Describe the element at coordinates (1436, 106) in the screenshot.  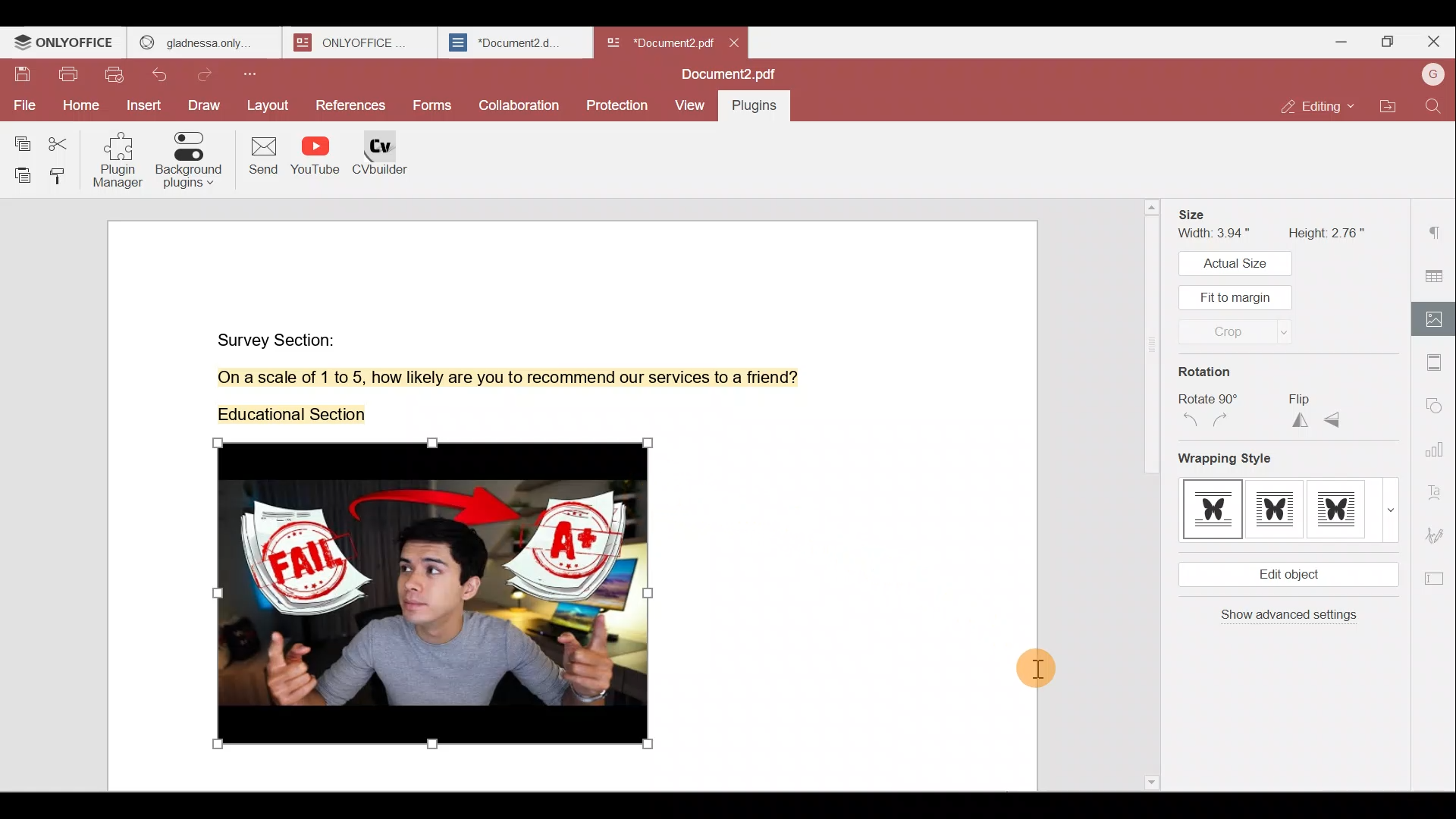
I see `Find` at that location.